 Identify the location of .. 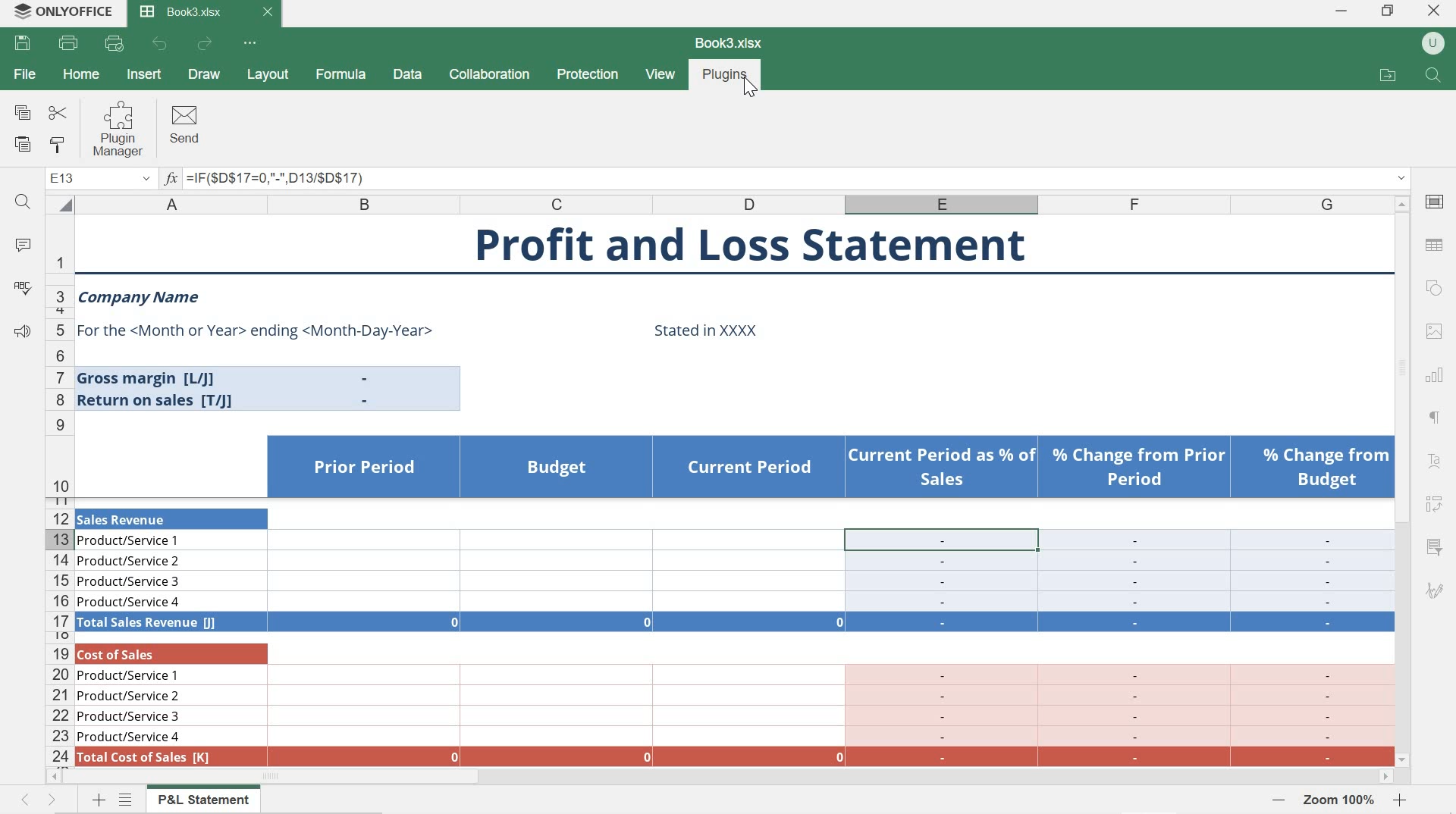
(367, 378).